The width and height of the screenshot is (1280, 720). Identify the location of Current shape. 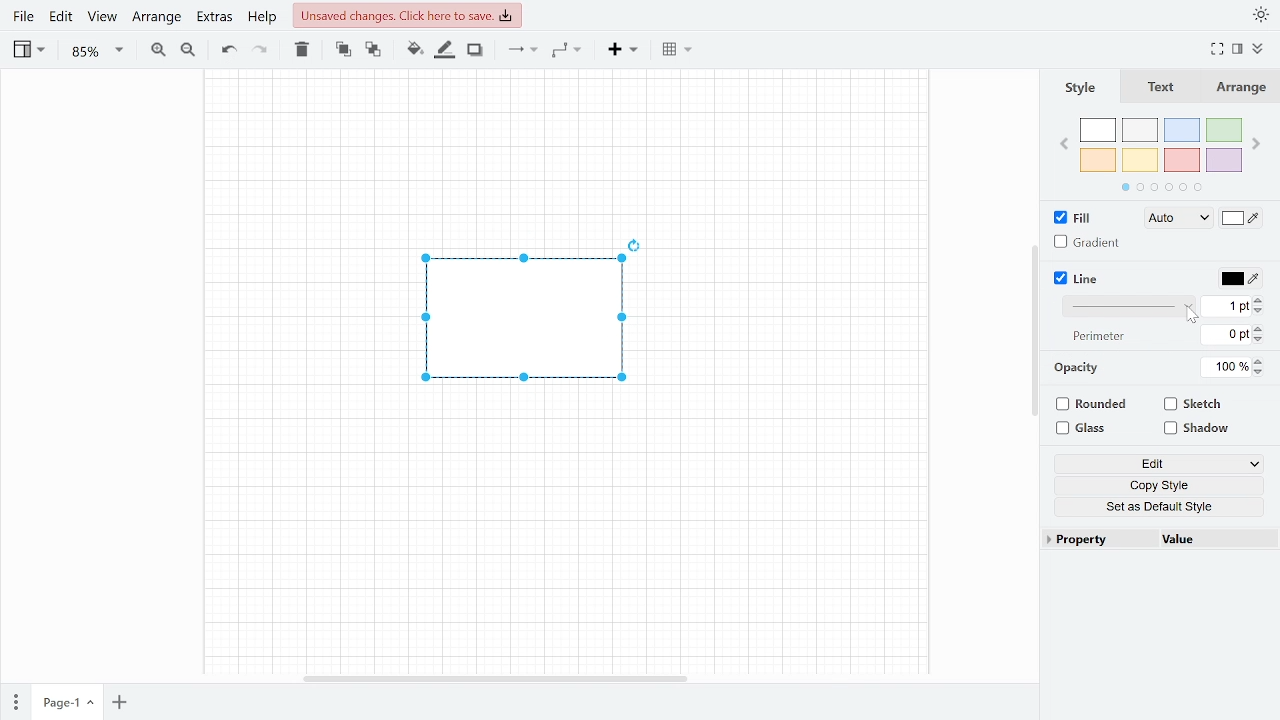
(522, 332).